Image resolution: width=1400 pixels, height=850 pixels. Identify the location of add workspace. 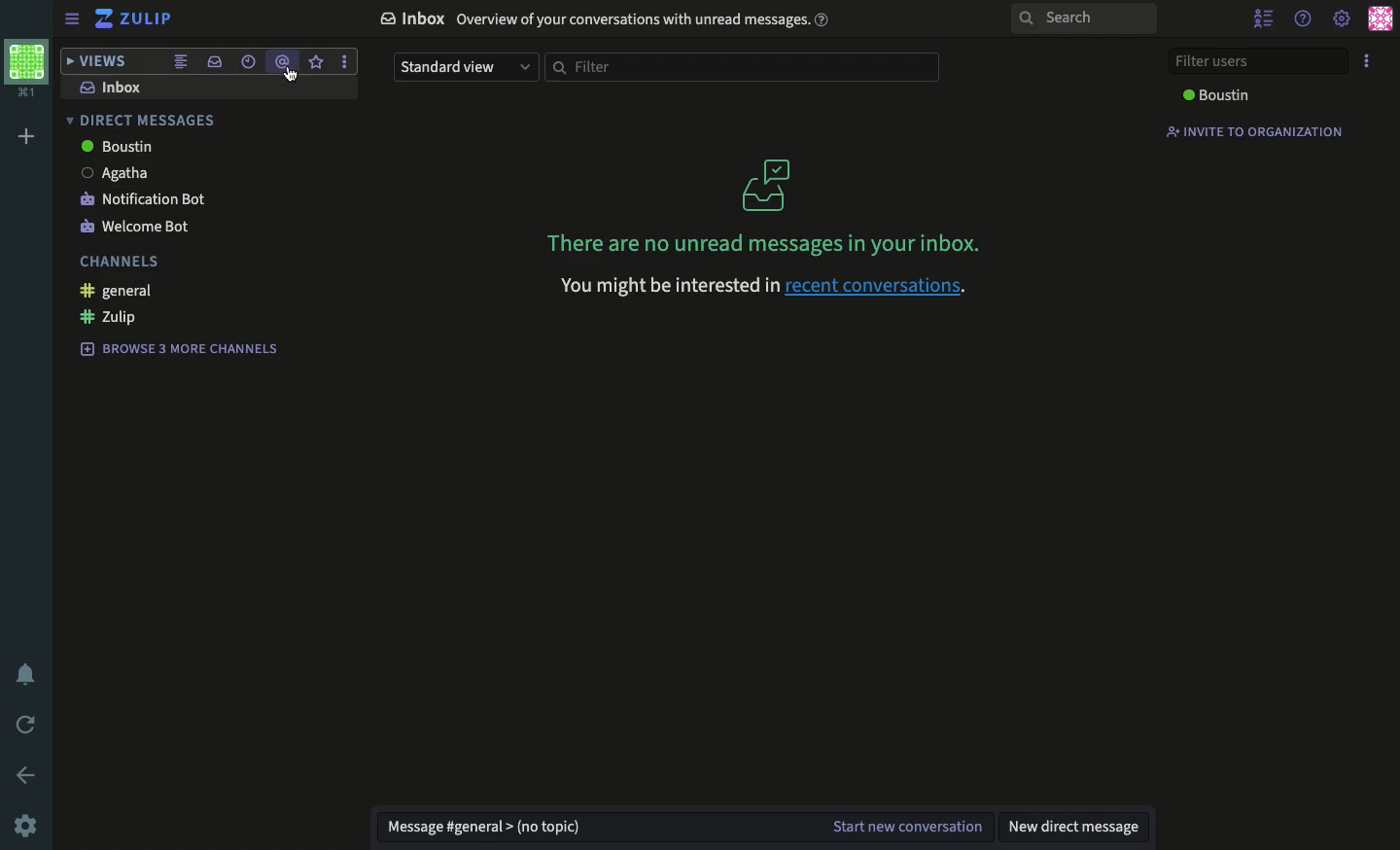
(24, 134).